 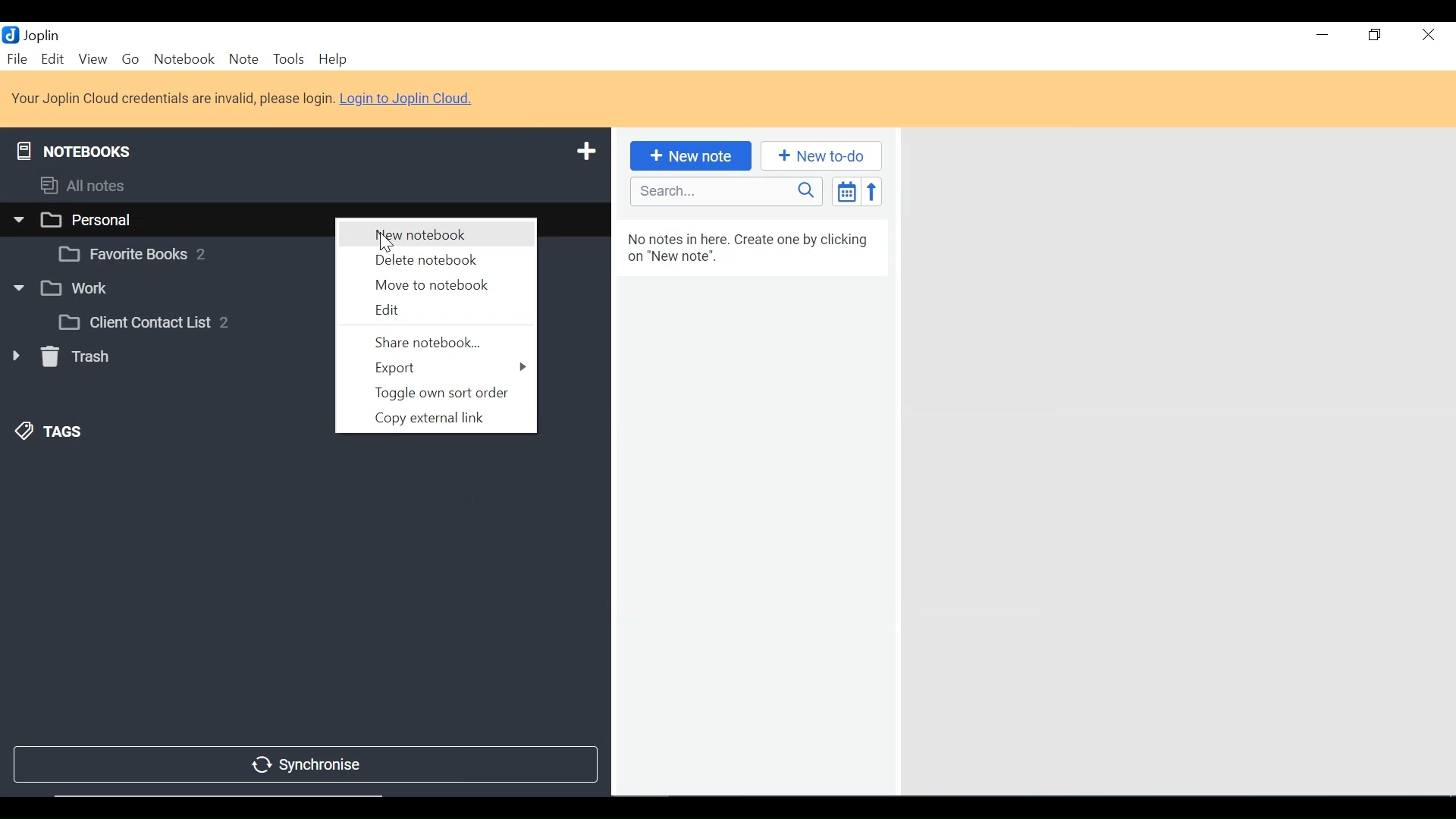 What do you see at coordinates (433, 260) in the screenshot?
I see `Delete Notebook` at bounding box center [433, 260].